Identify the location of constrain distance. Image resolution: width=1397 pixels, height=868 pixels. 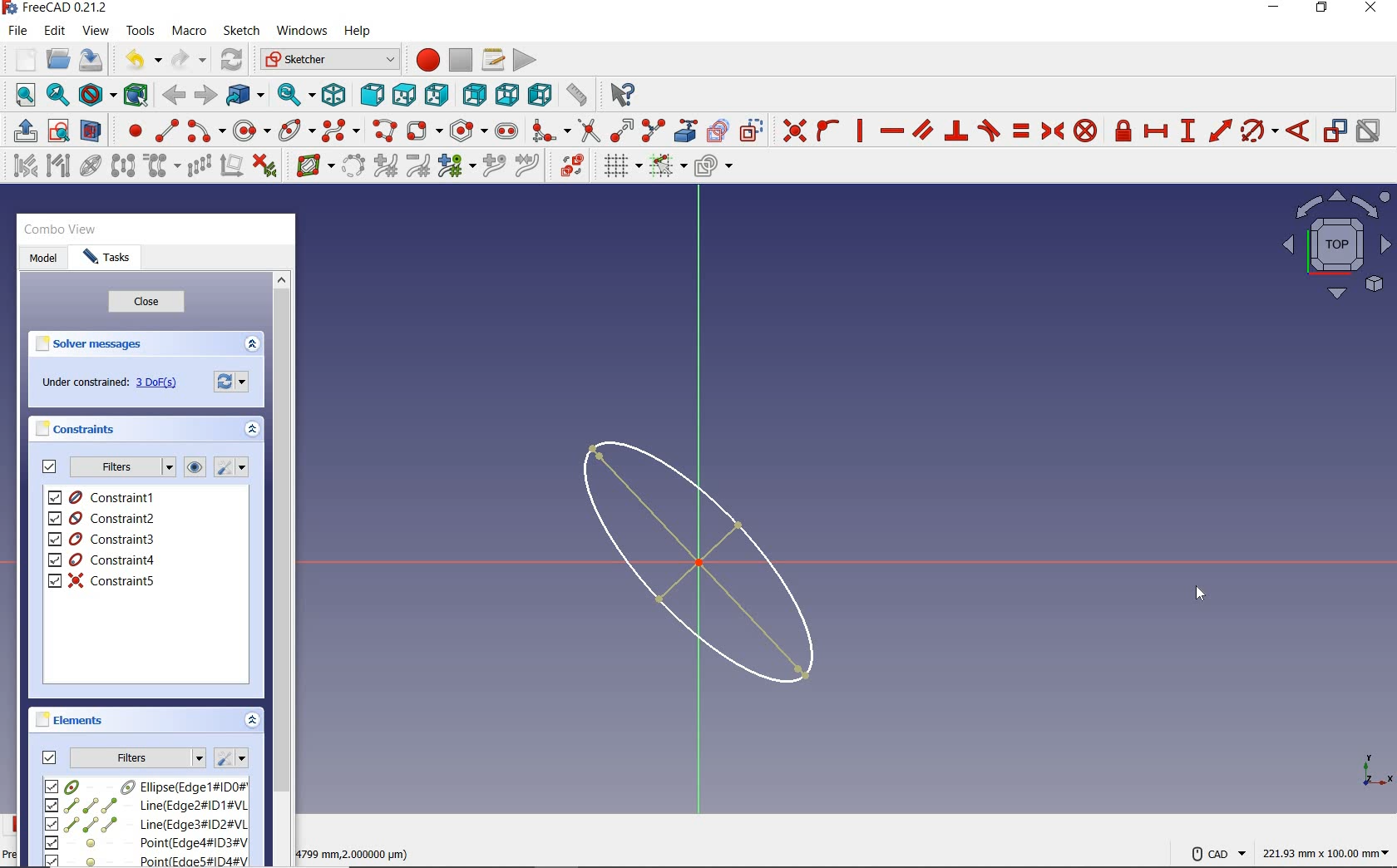
(1221, 129).